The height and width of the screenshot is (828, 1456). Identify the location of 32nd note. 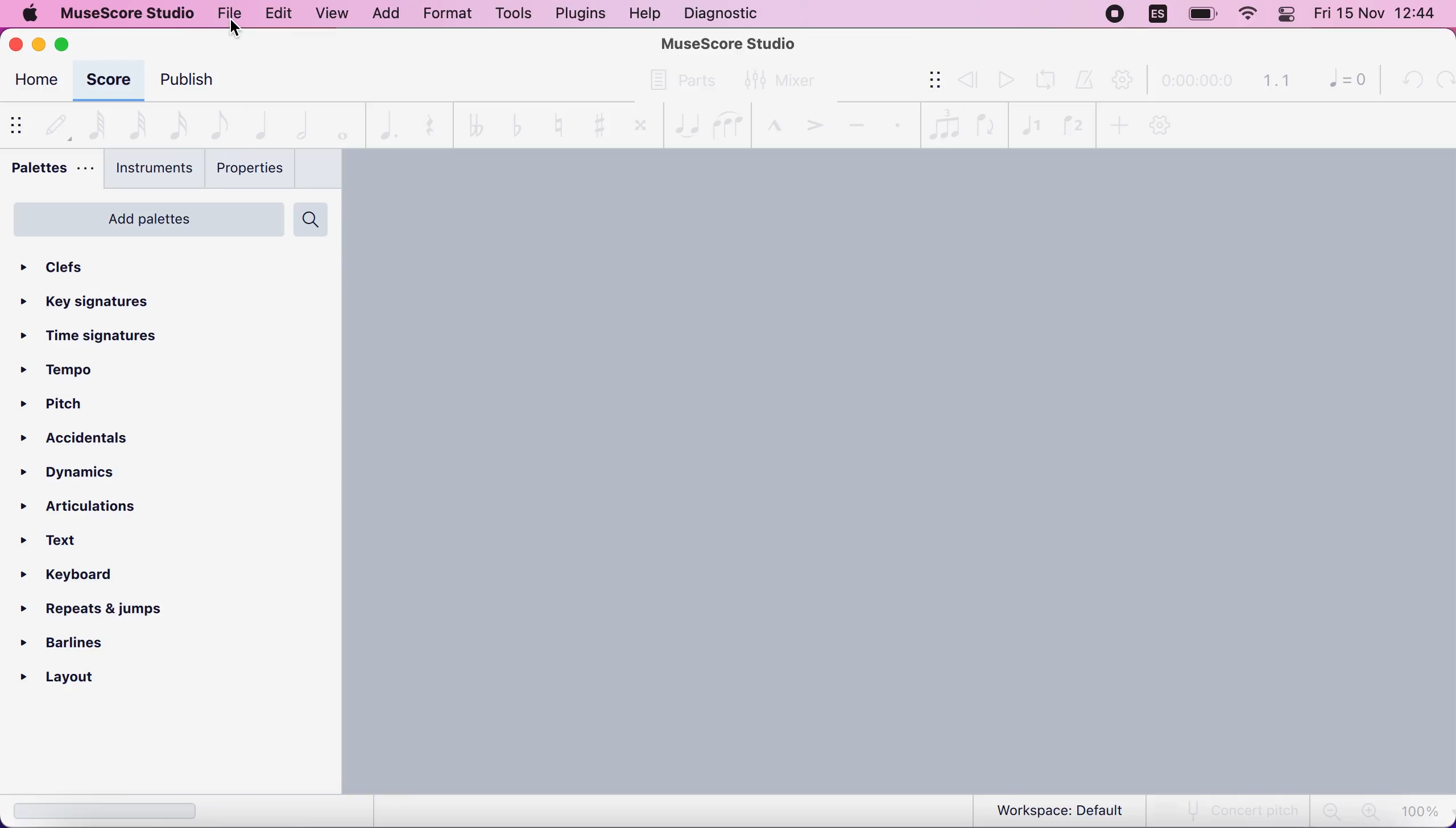
(135, 125).